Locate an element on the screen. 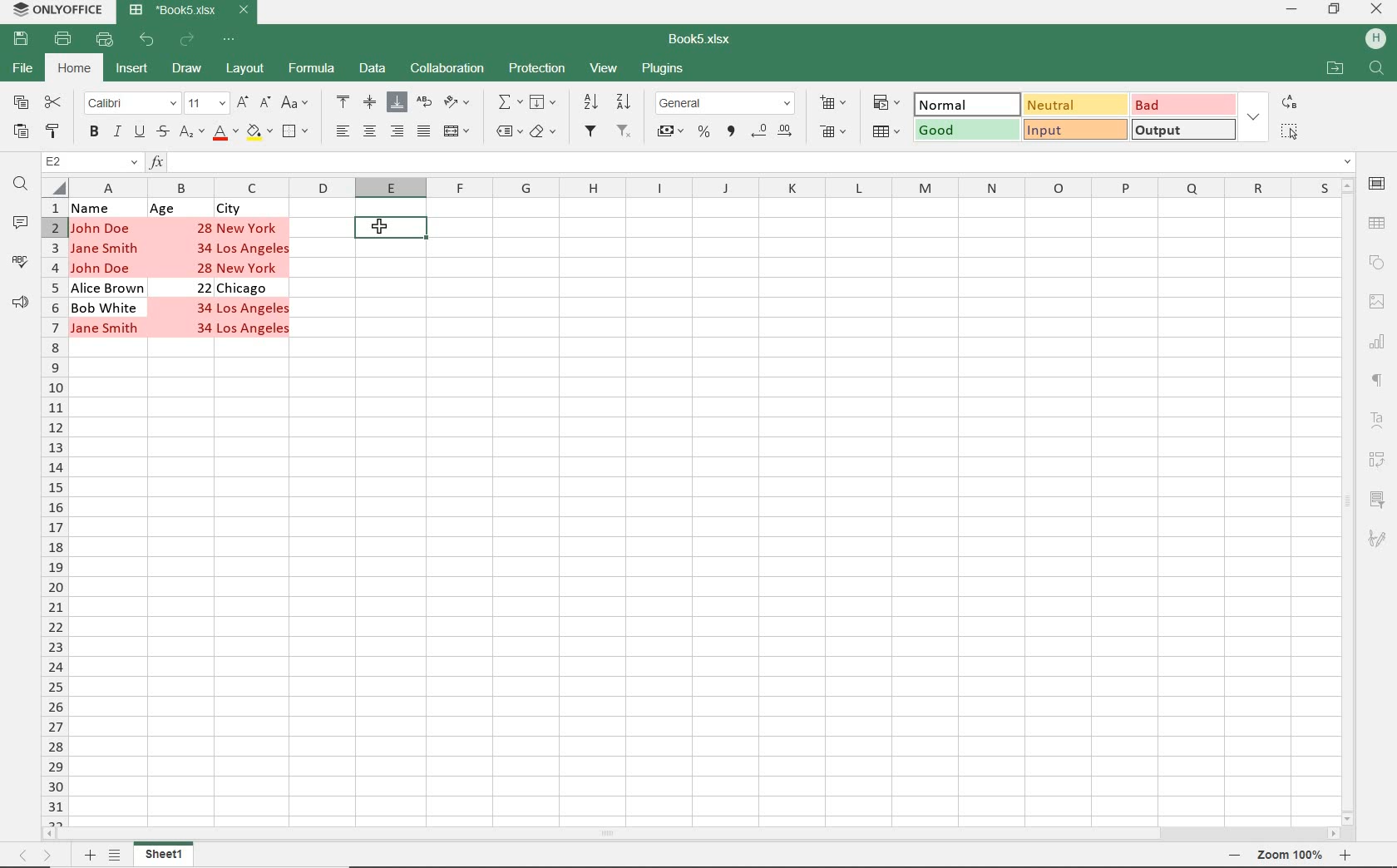 The image size is (1397, 868). ZOOM OUT OR ZOOM IN is located at coordinates (1296, 856).